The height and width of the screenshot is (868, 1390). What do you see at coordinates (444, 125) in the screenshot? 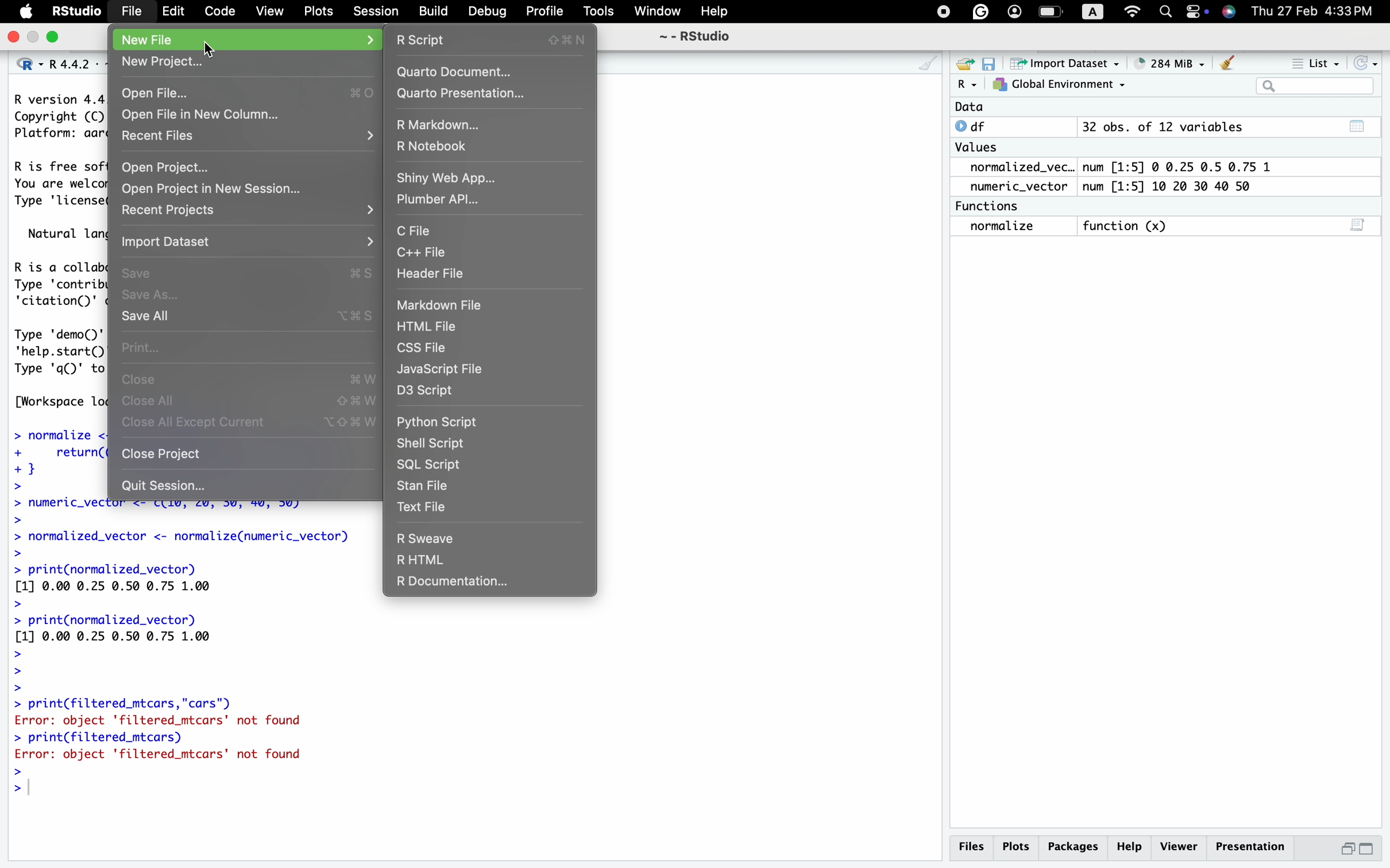
I see `R Markdown...` at bounding box center [444, 125].